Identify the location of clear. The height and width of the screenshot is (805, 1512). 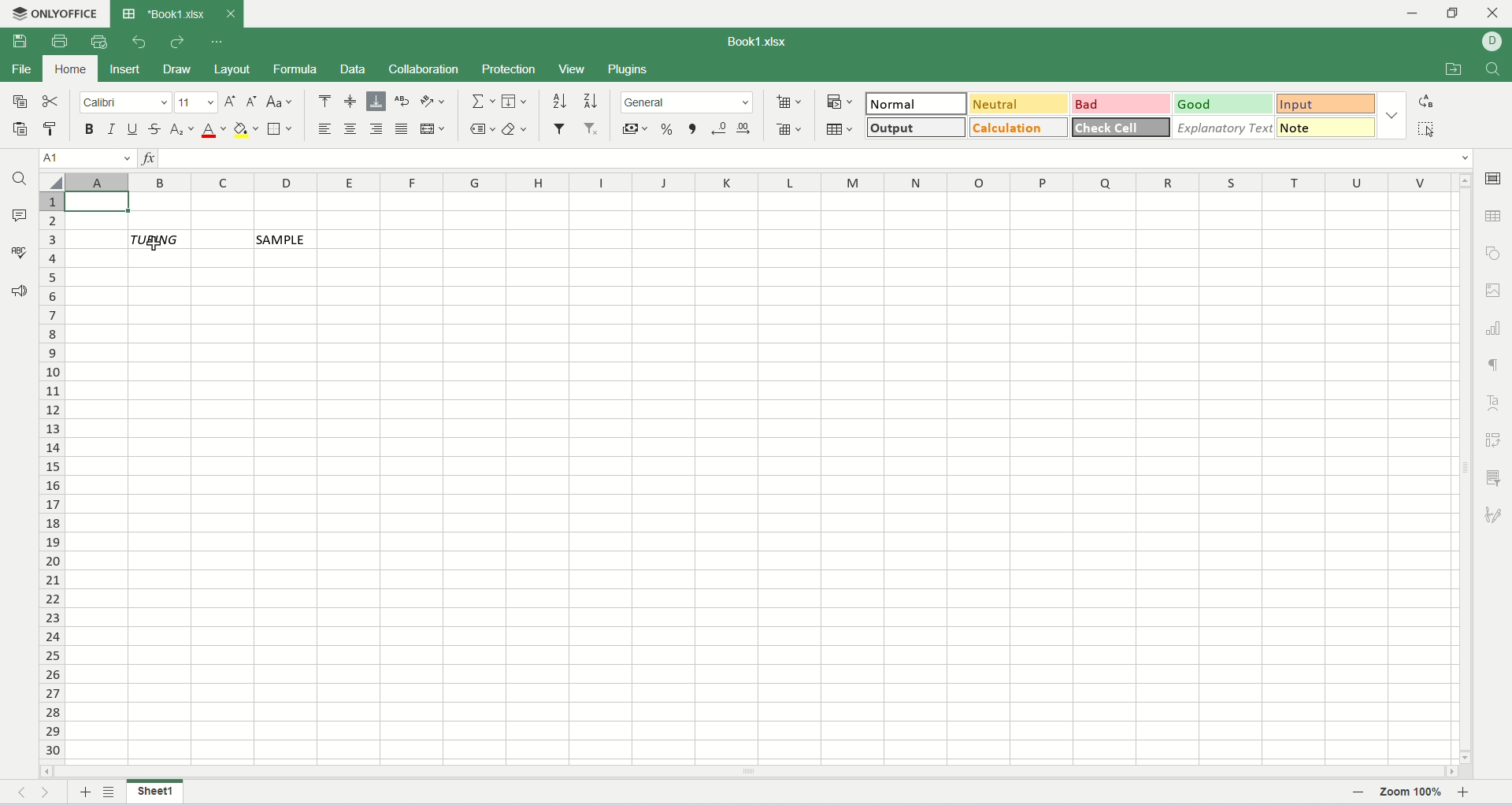
(515, 129).